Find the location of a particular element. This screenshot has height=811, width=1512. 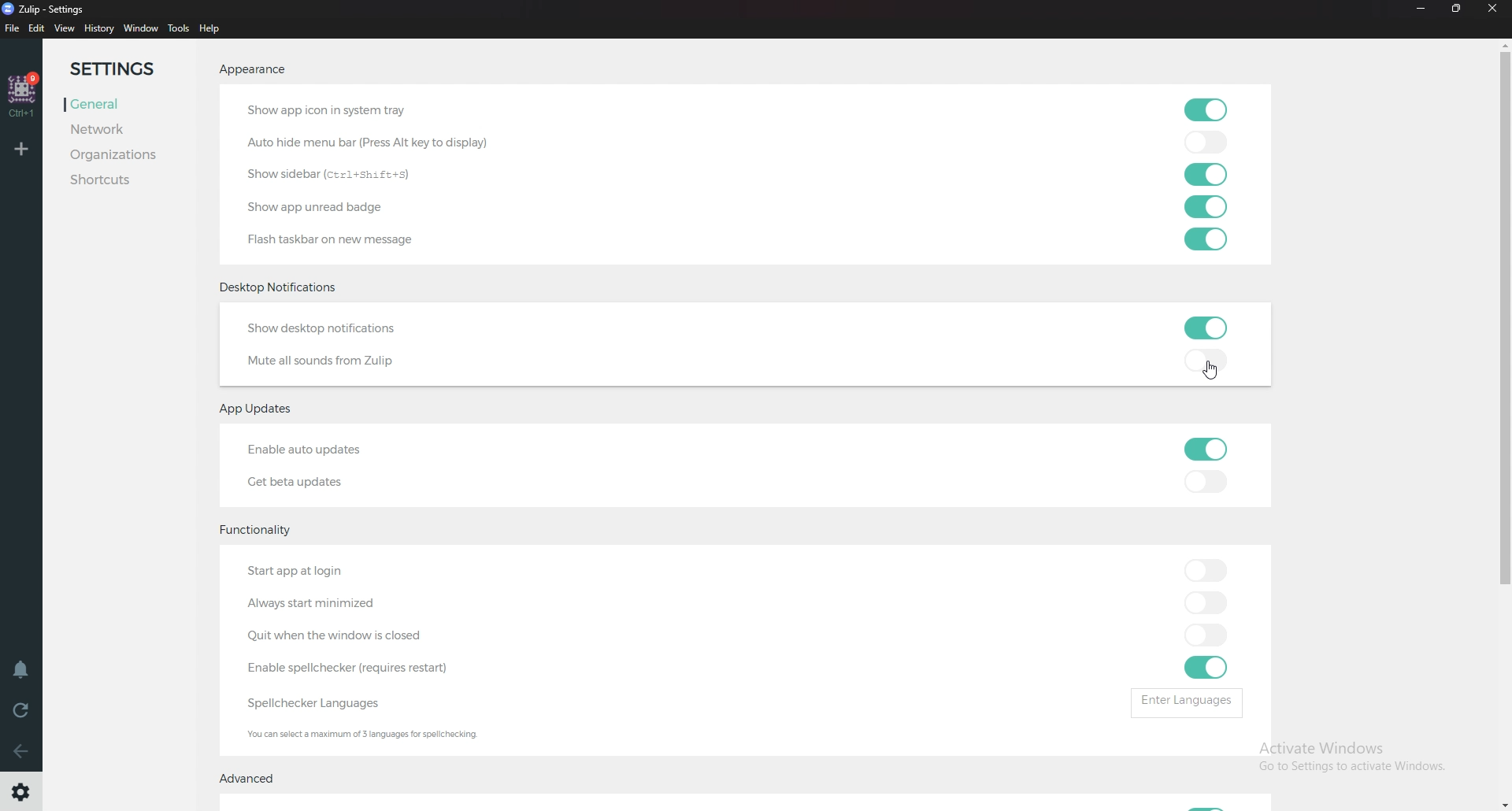

Organizations is located at coordinates (122, 155).